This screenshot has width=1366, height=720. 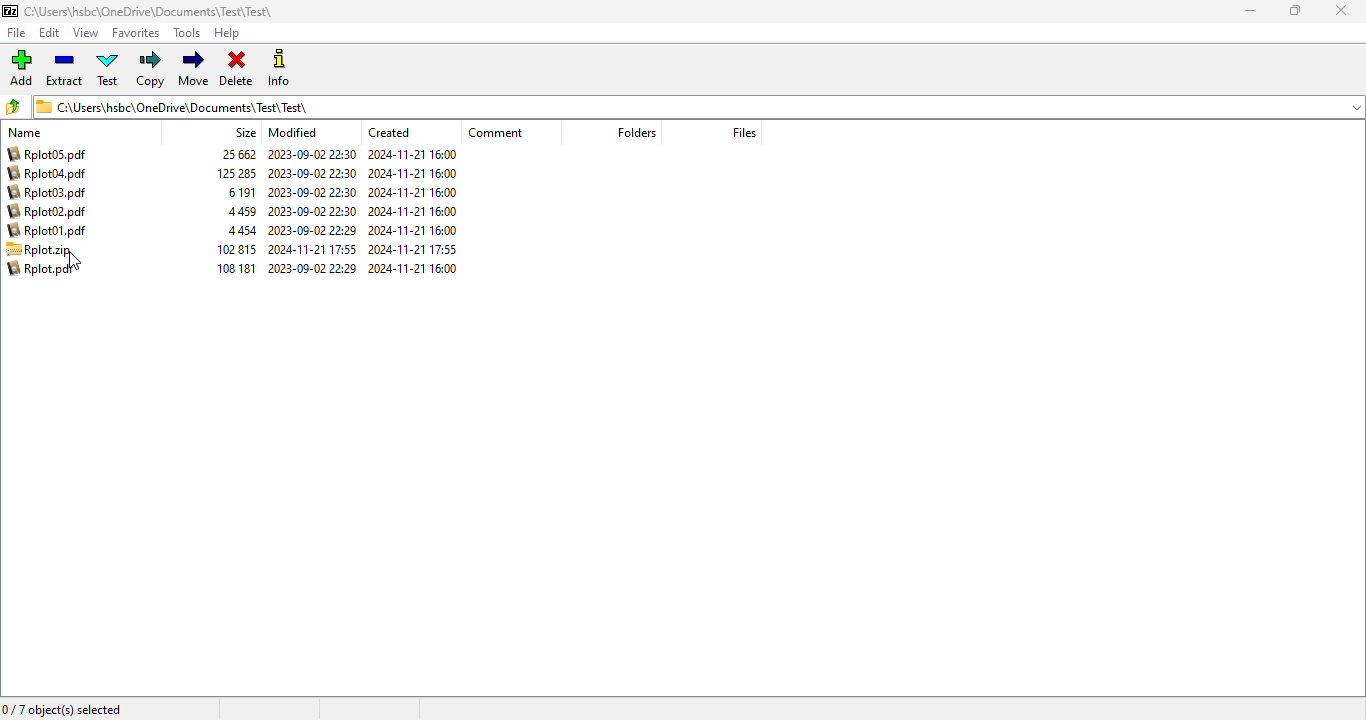 What do you see at coordinates (412, 211) in the screenshot?
I see `created date & time` at bounding box center [412, 211].